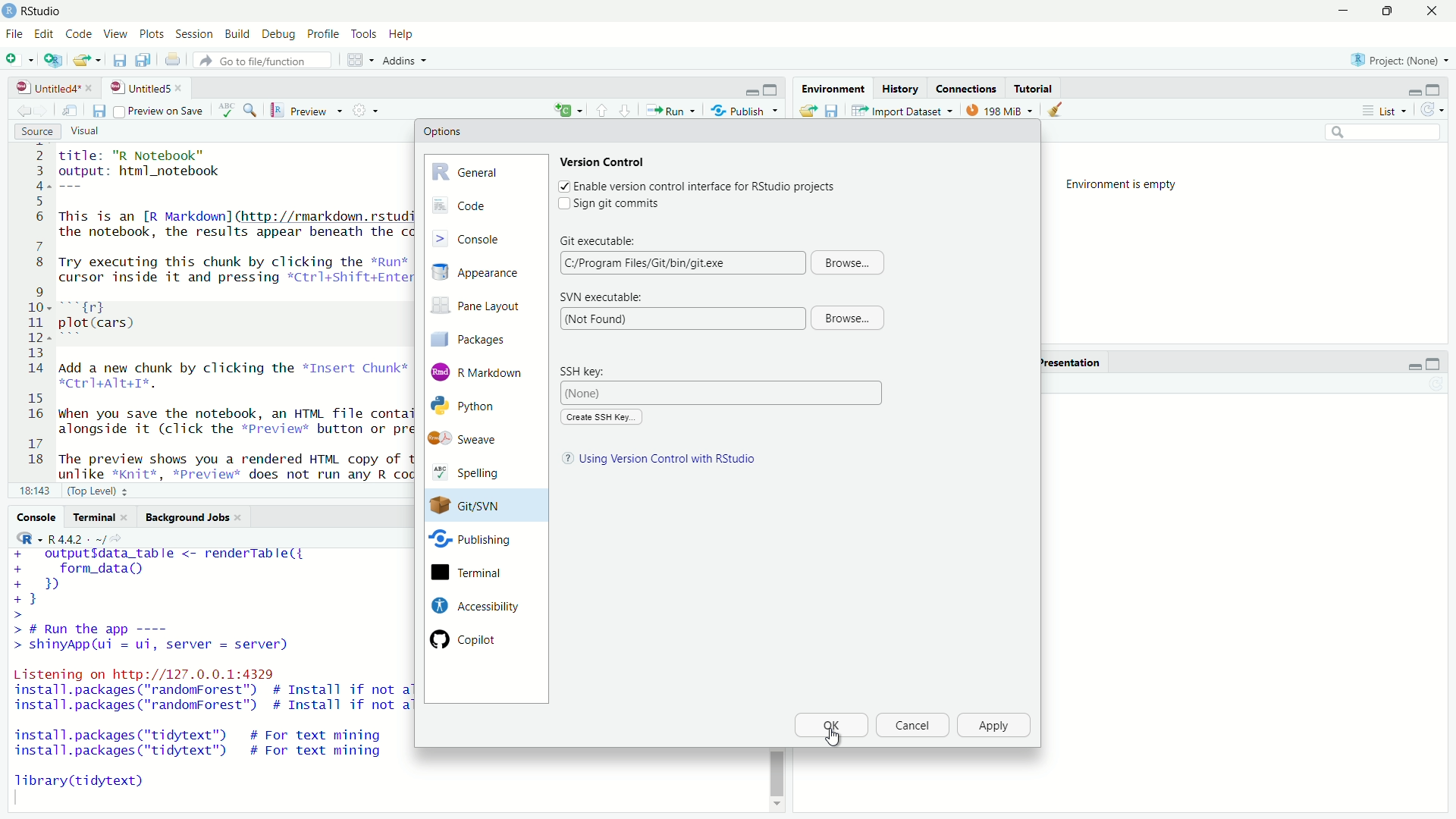 Image resolution: width=1456 pixels, height=819 pixels. Describe the element at coordinates (1127, 185) in the screenshot. I see `Environment is empty` at that location.